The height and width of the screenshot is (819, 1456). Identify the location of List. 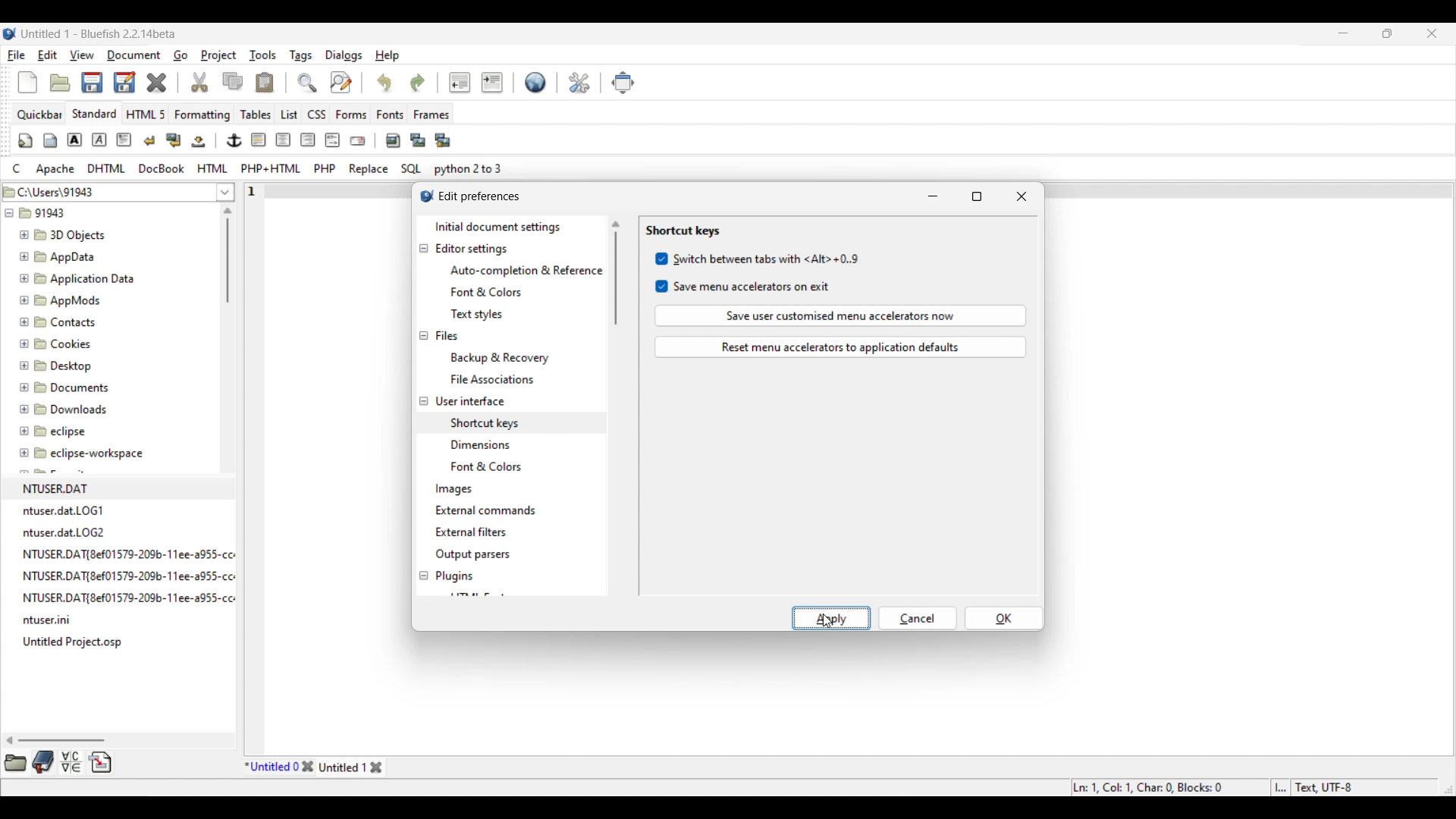
(289, 115).